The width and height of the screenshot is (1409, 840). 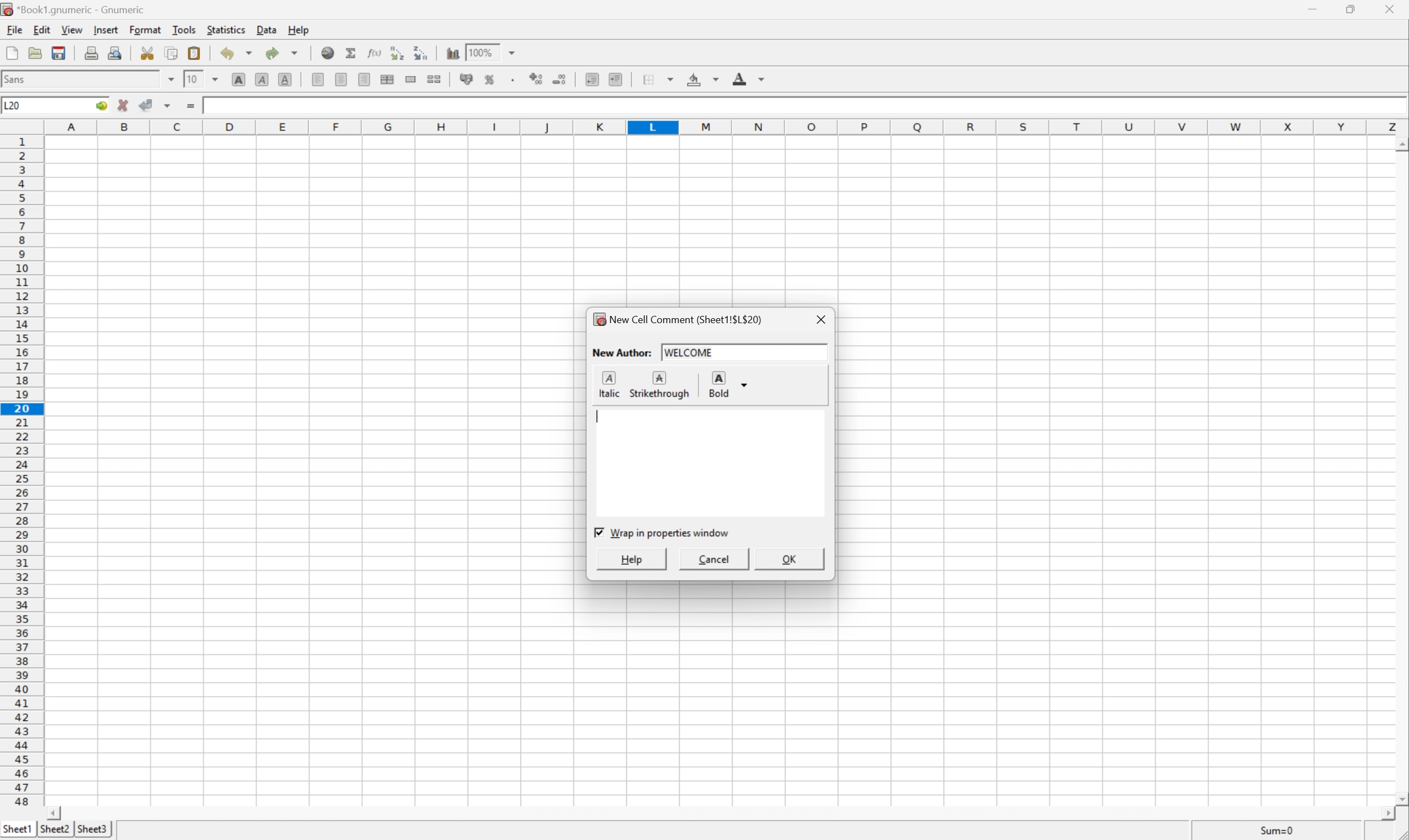 What do you see at coordinates (513, 52) in the screenshot?
I see `Drop Down` at bounding box center [513, 52].